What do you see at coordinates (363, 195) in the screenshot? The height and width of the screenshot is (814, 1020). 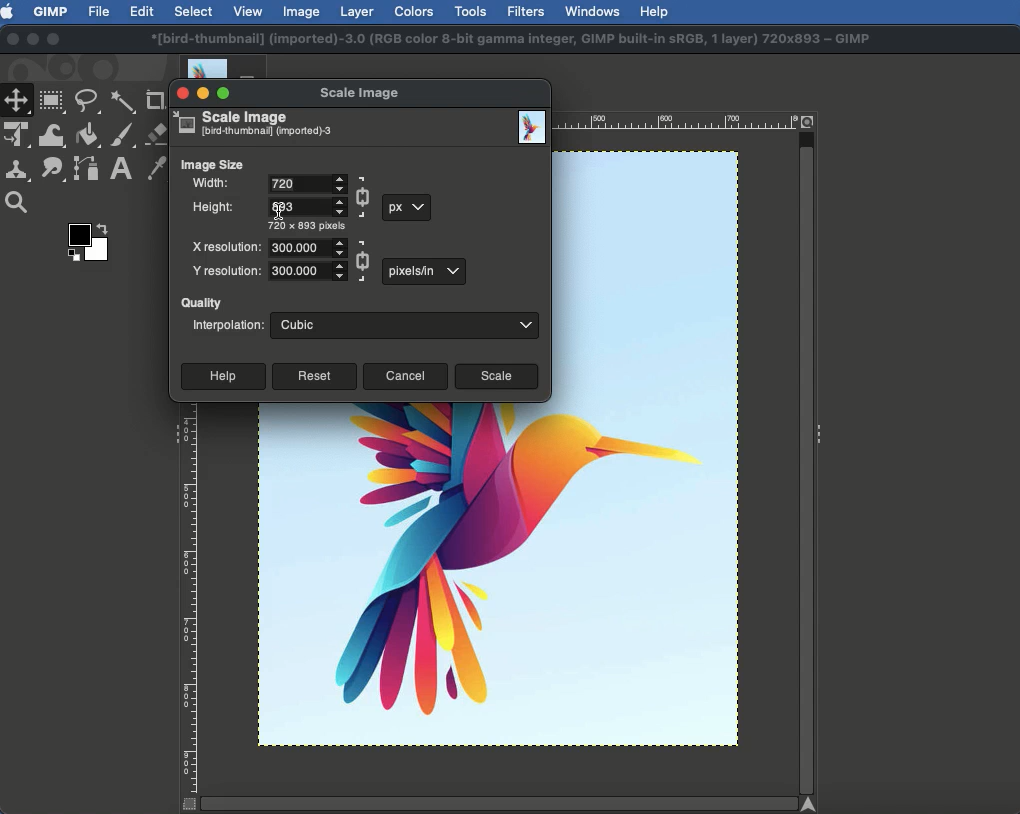 I see `Linked` at bounding box center [363, 195].